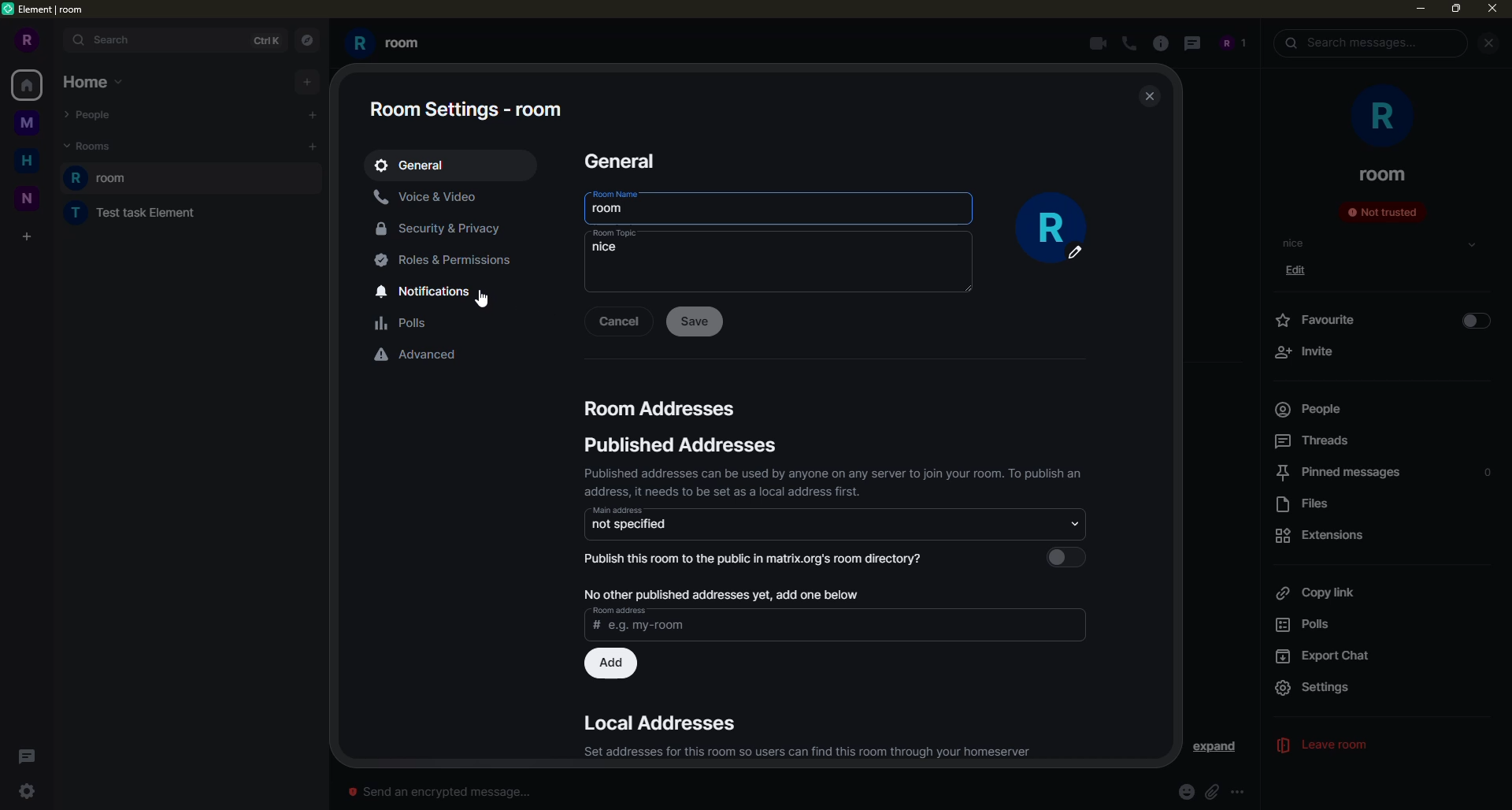 The height and width of the screenshot is (810, 1512). I want to click on nice, so click(608, 248).